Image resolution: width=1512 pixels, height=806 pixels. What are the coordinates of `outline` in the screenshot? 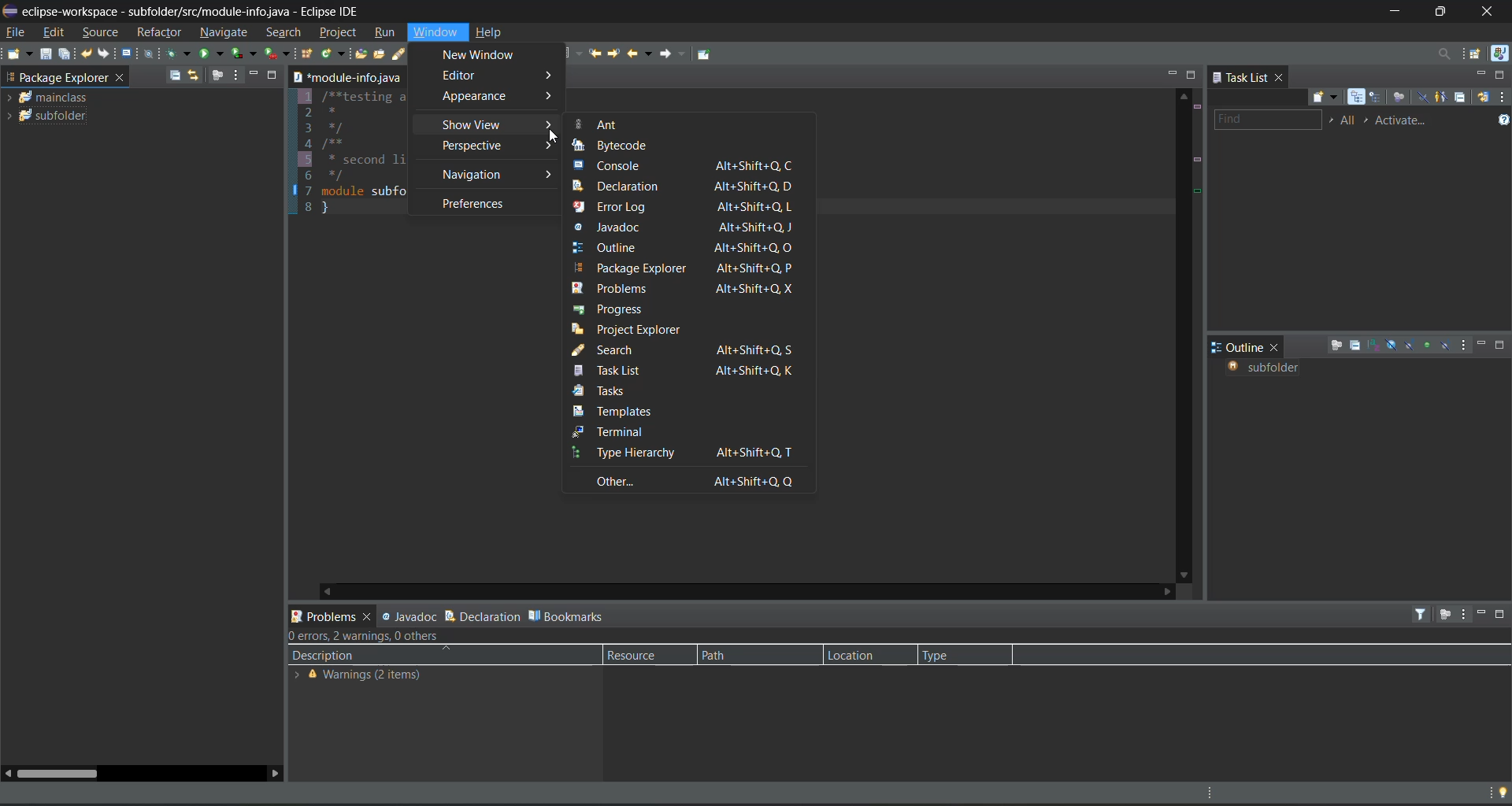 It's located at (1238, 347).